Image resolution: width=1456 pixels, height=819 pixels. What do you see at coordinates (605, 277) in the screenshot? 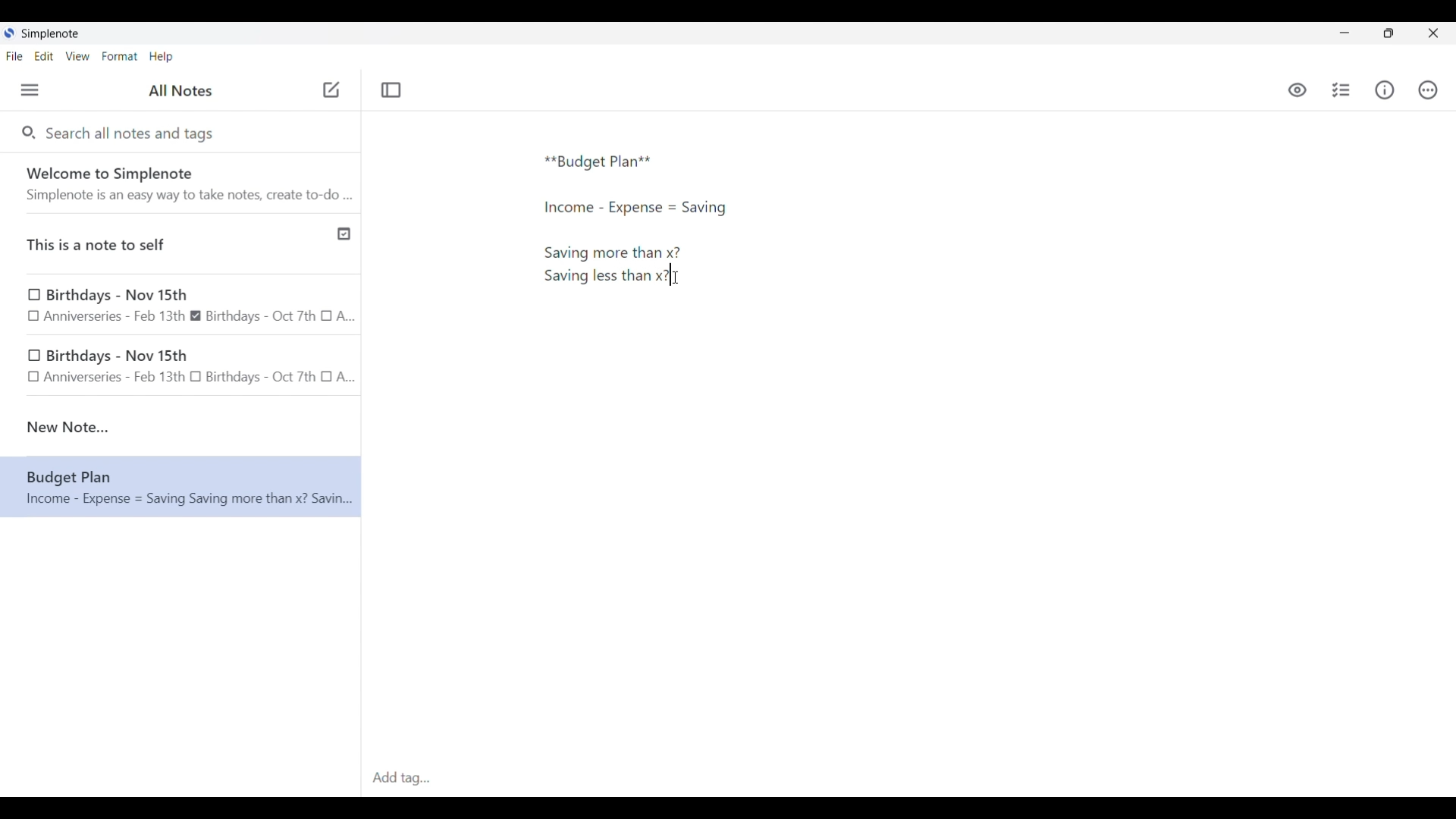
I see `More text added` at bounding box center [605, 277].